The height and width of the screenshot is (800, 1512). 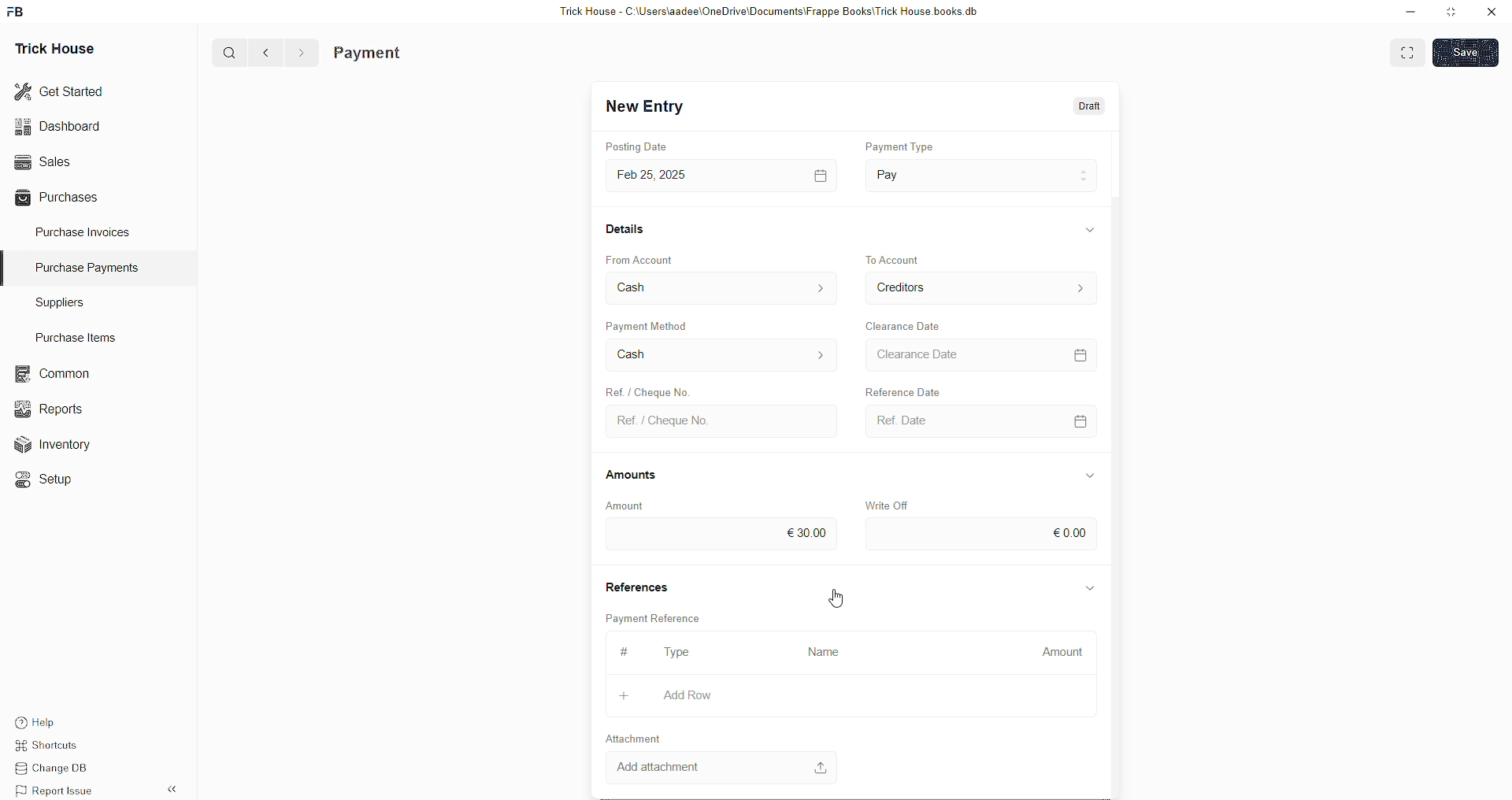 I want to click on Feb 25,2025, so click(x=655, y=176).